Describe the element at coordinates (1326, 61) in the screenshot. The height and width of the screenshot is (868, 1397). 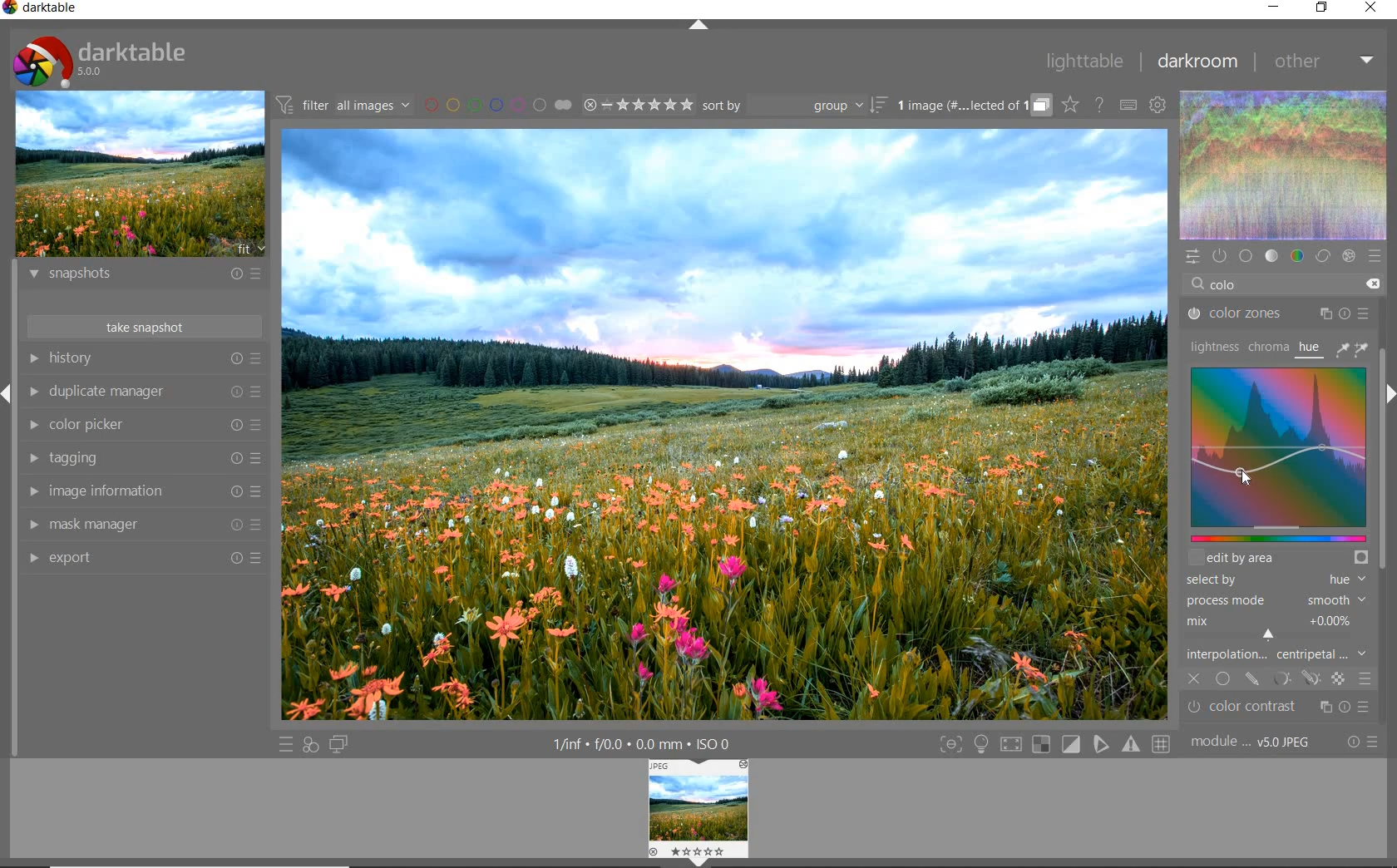
I see `other` at that location.